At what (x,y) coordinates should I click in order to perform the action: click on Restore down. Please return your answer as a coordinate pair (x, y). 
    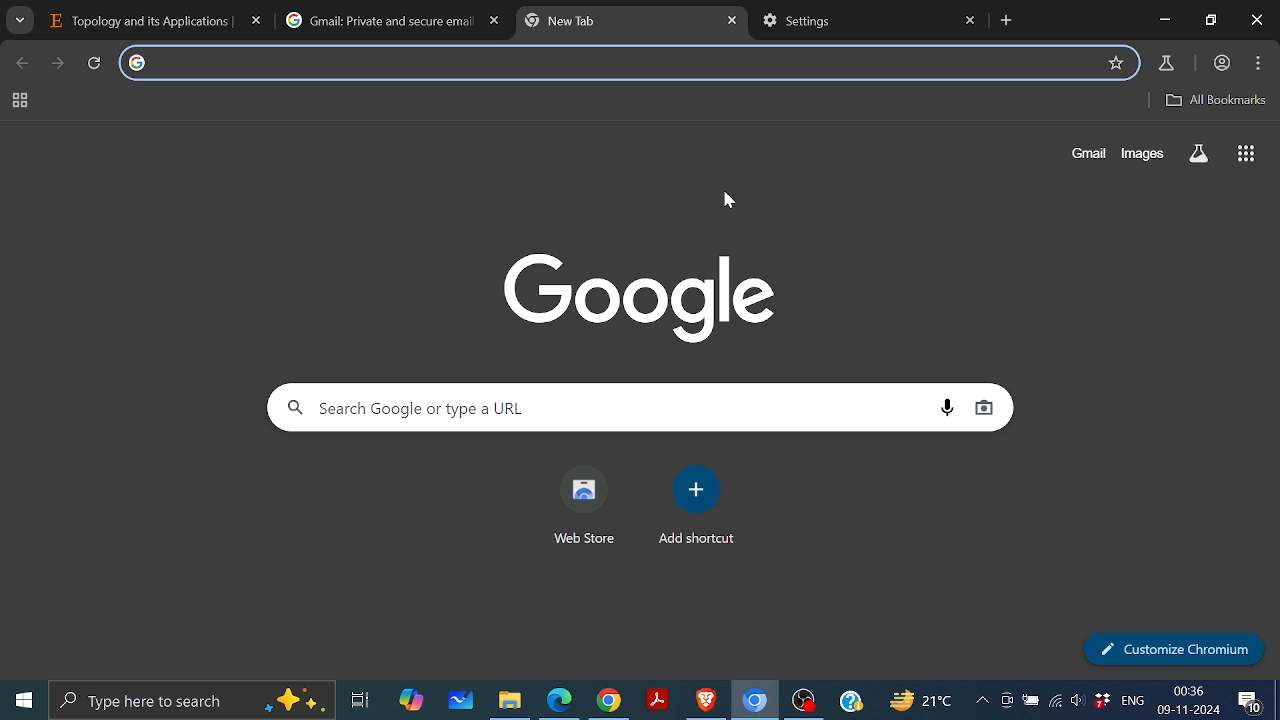
    Looking at the image, I should click on (1211, 19).